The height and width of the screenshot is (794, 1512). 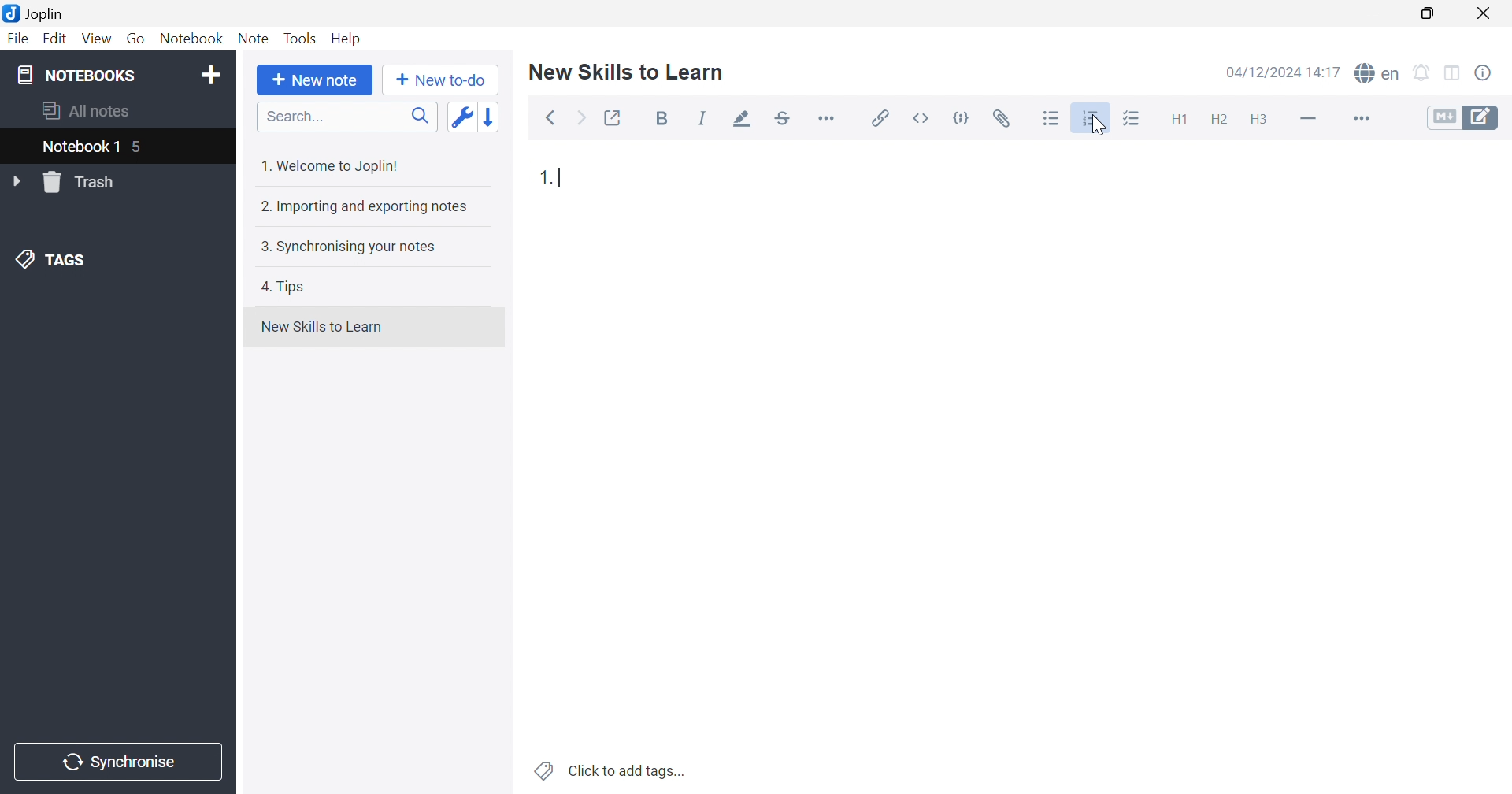 I want to click on Code Block, so click(x=965, y=121).